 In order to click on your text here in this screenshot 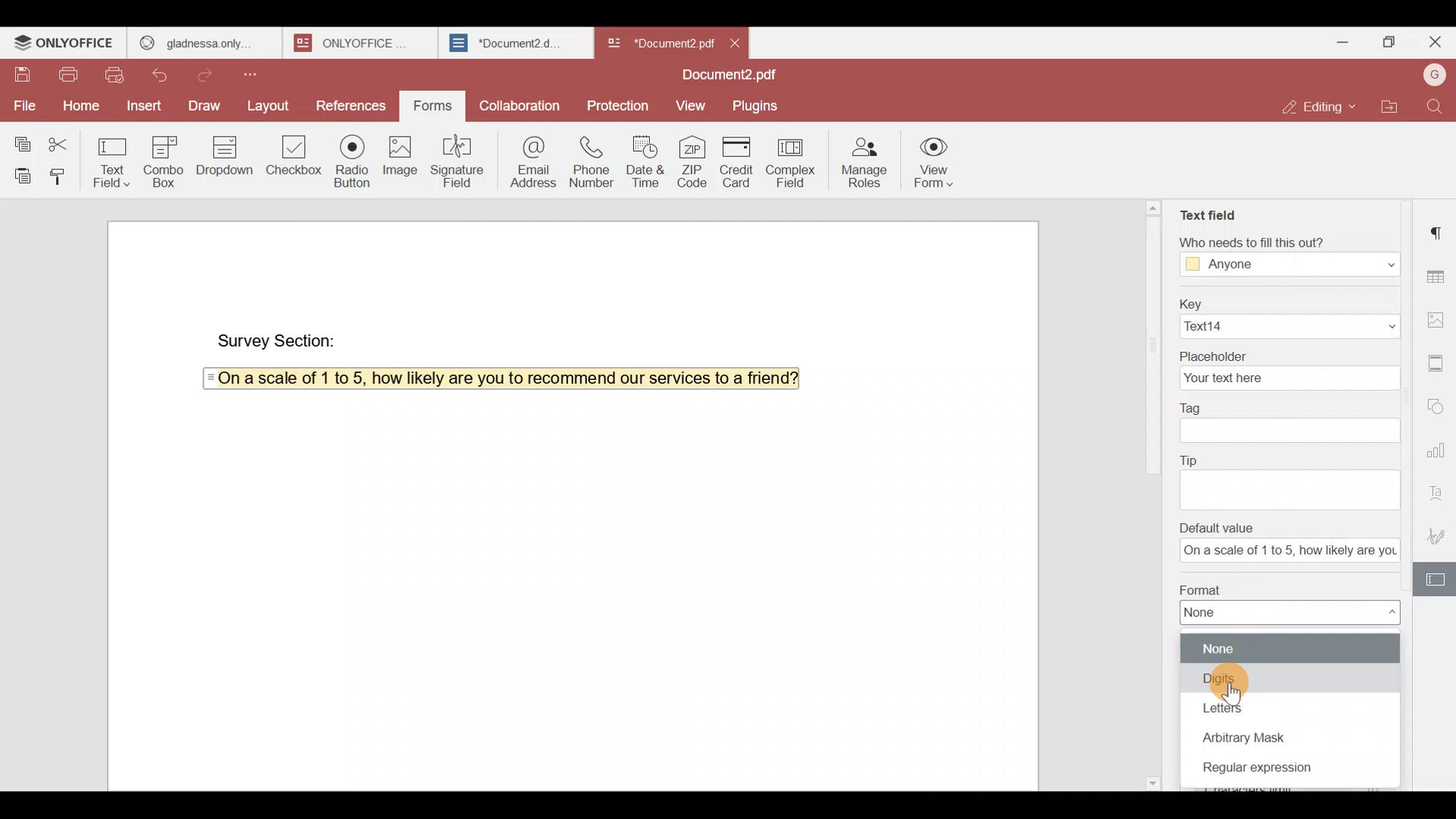, I will do `click(1285, 377)`.